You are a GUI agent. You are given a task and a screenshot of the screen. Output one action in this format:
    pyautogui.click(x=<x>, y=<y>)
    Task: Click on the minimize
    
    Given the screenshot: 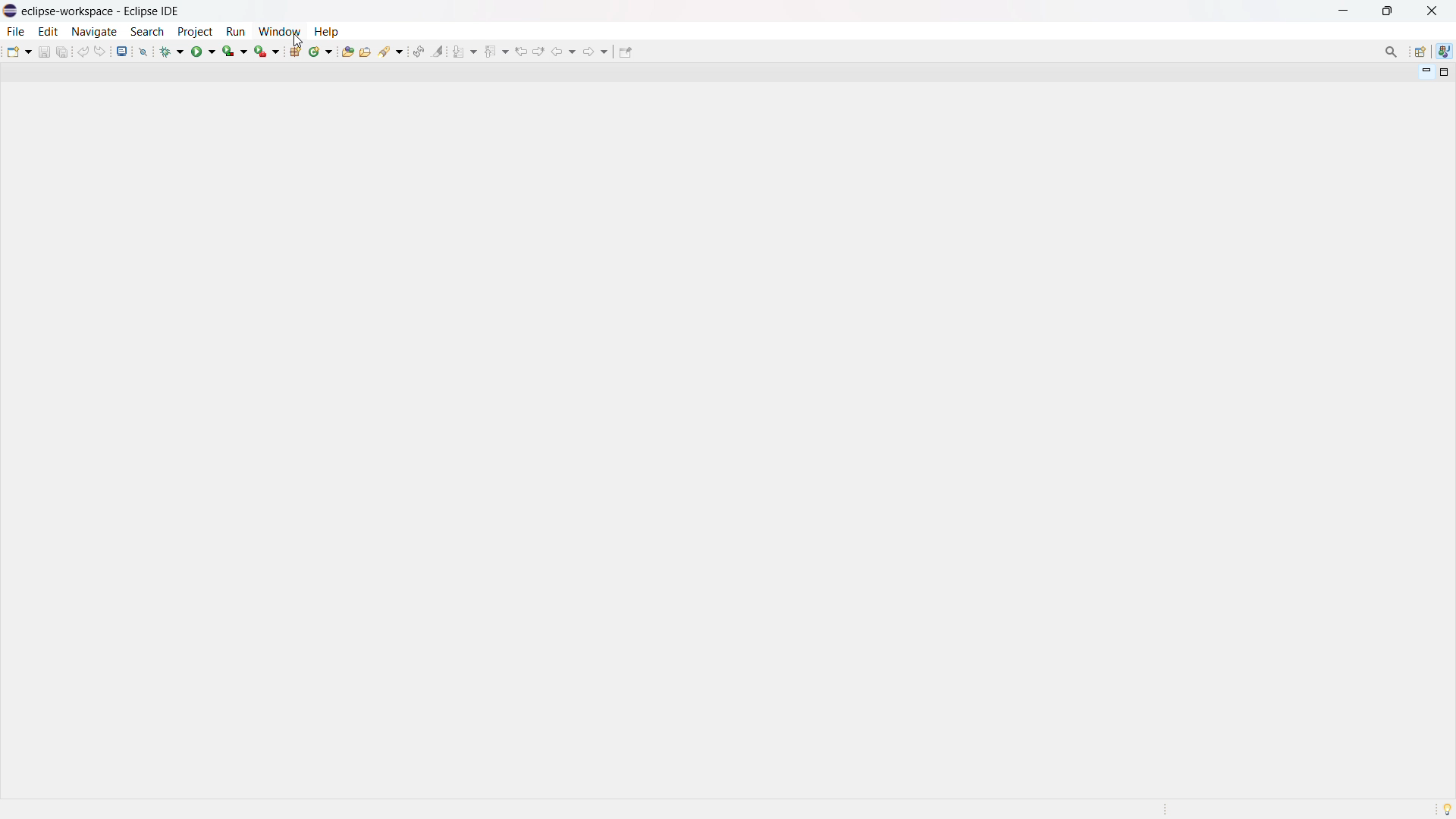 What is the action you would take?
    pyautogui.click(x=1347, y=11)
    